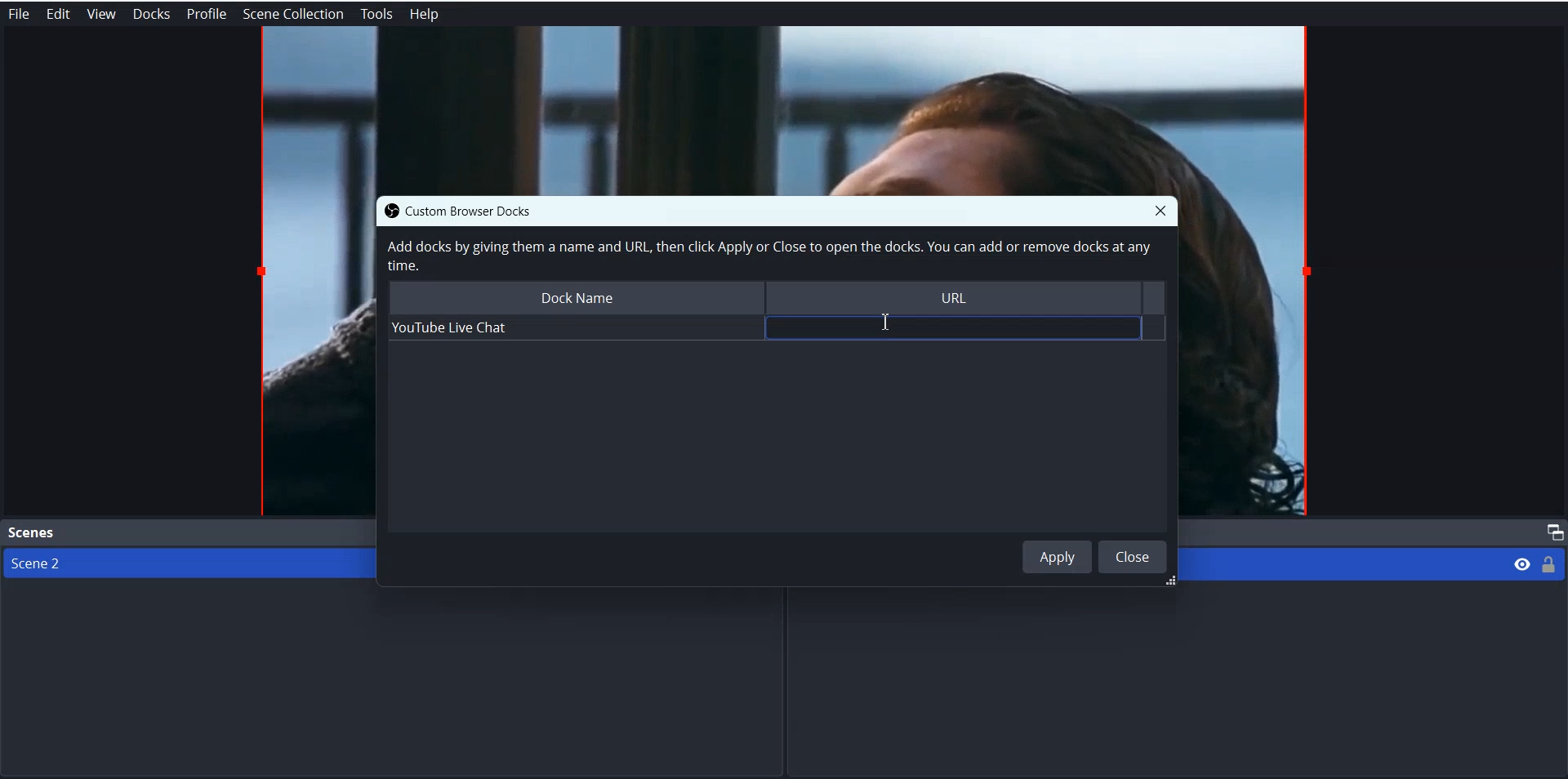 This screenshot has width=1568, height=779. Describe the element at coordinates (425, 15) in the screenshot. I see `Help` at that location.